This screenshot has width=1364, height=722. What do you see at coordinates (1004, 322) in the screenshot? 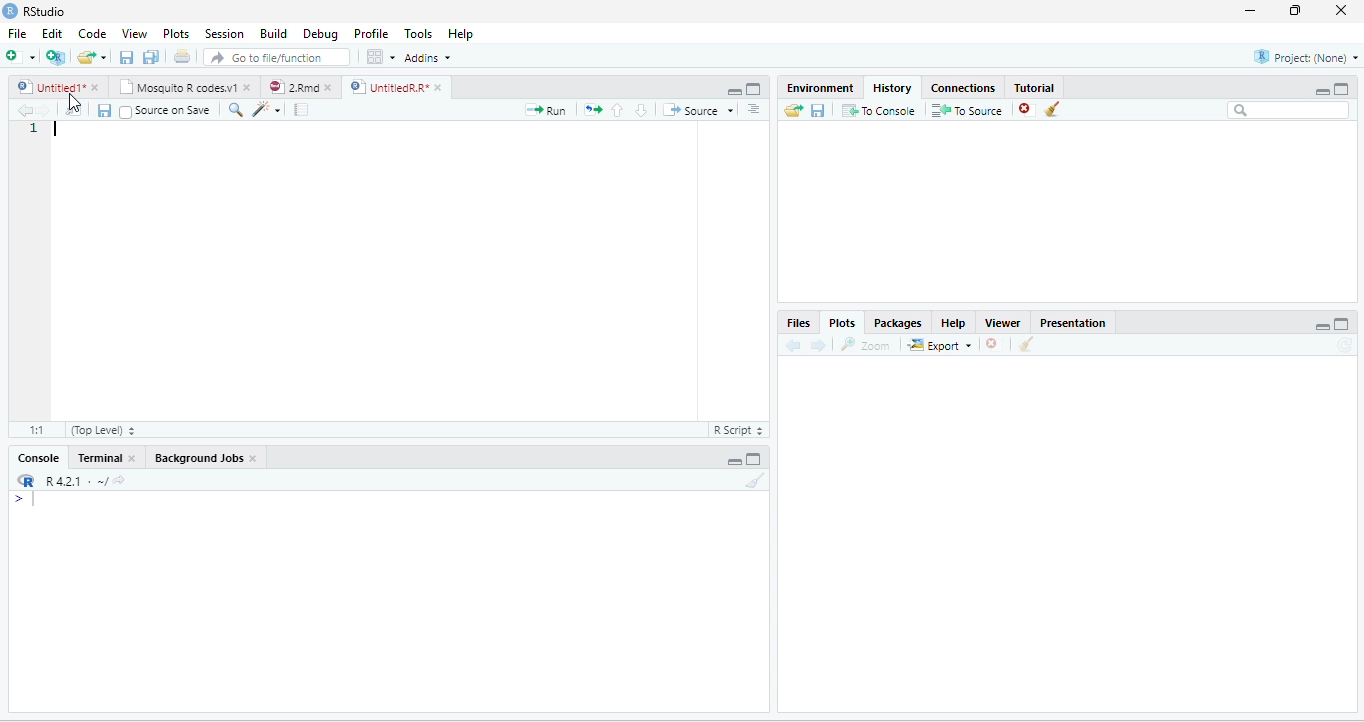
I see `Viewer` at bounding box center [1004, 322].